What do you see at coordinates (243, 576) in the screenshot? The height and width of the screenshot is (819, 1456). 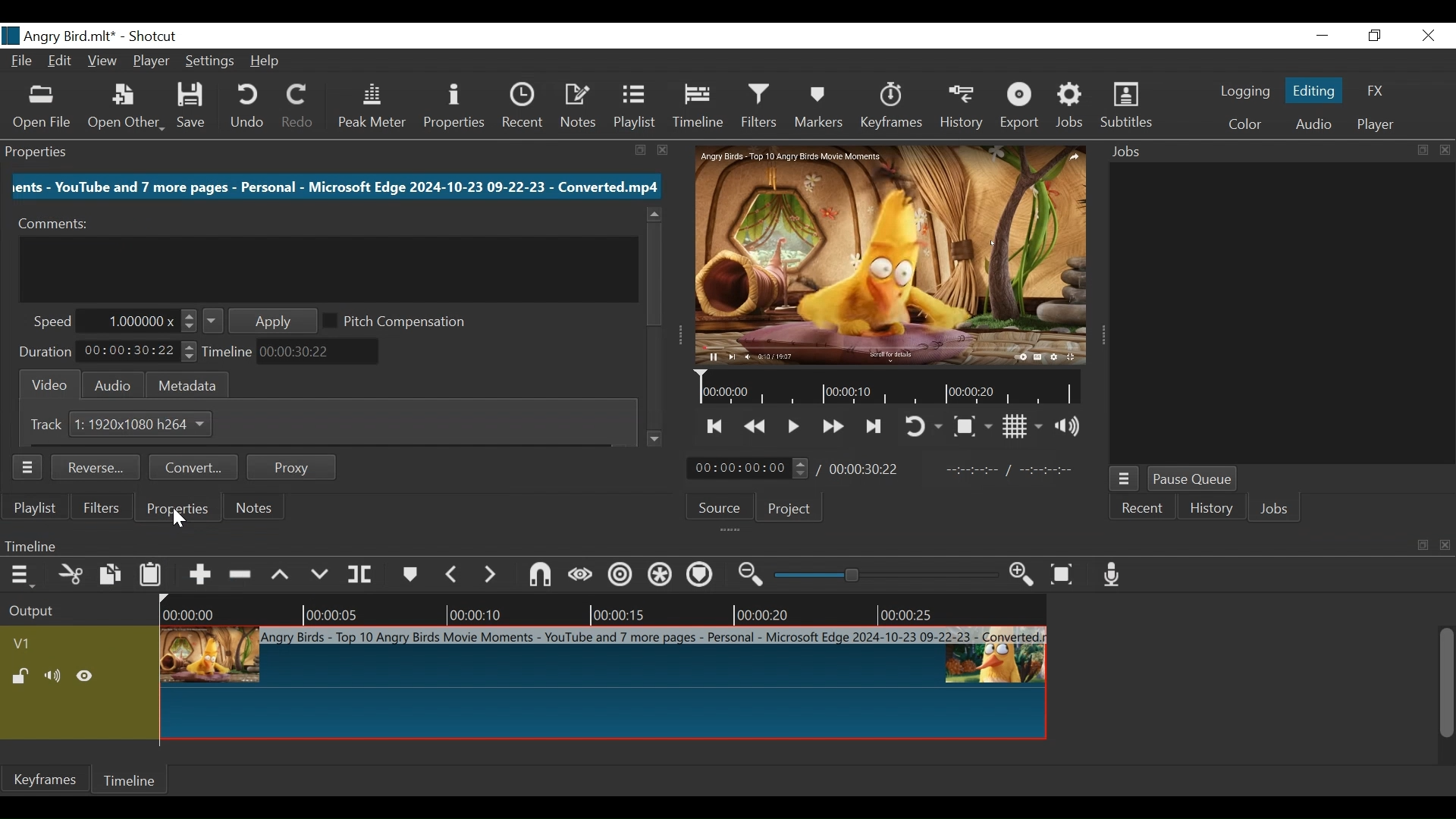 I see `Ripple Delete` at bounding box center [243, 576].